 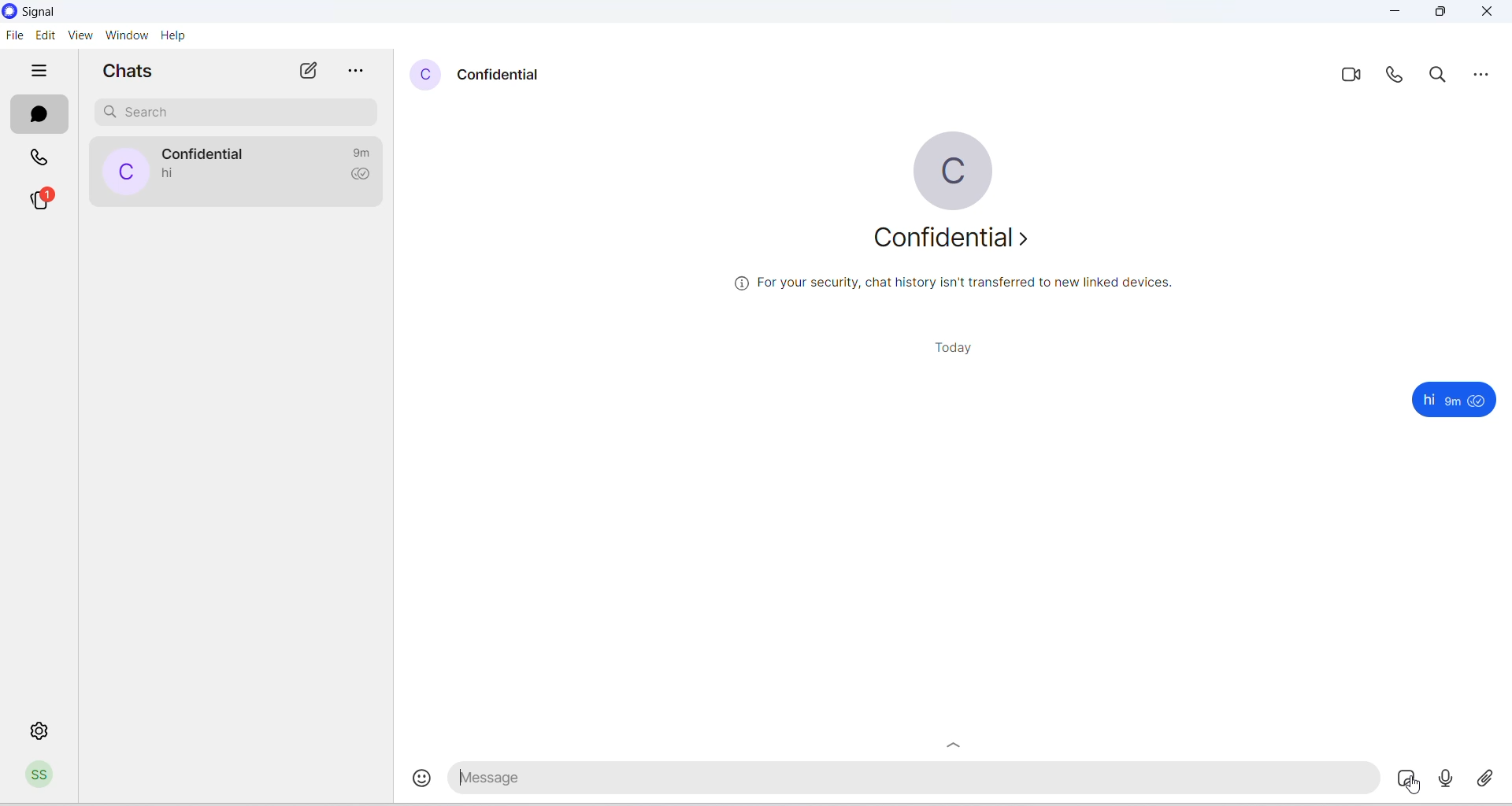 What do you see at coordinates (43, 777) in the screenshot?
I see `profile` at bounding box center [43, 777].